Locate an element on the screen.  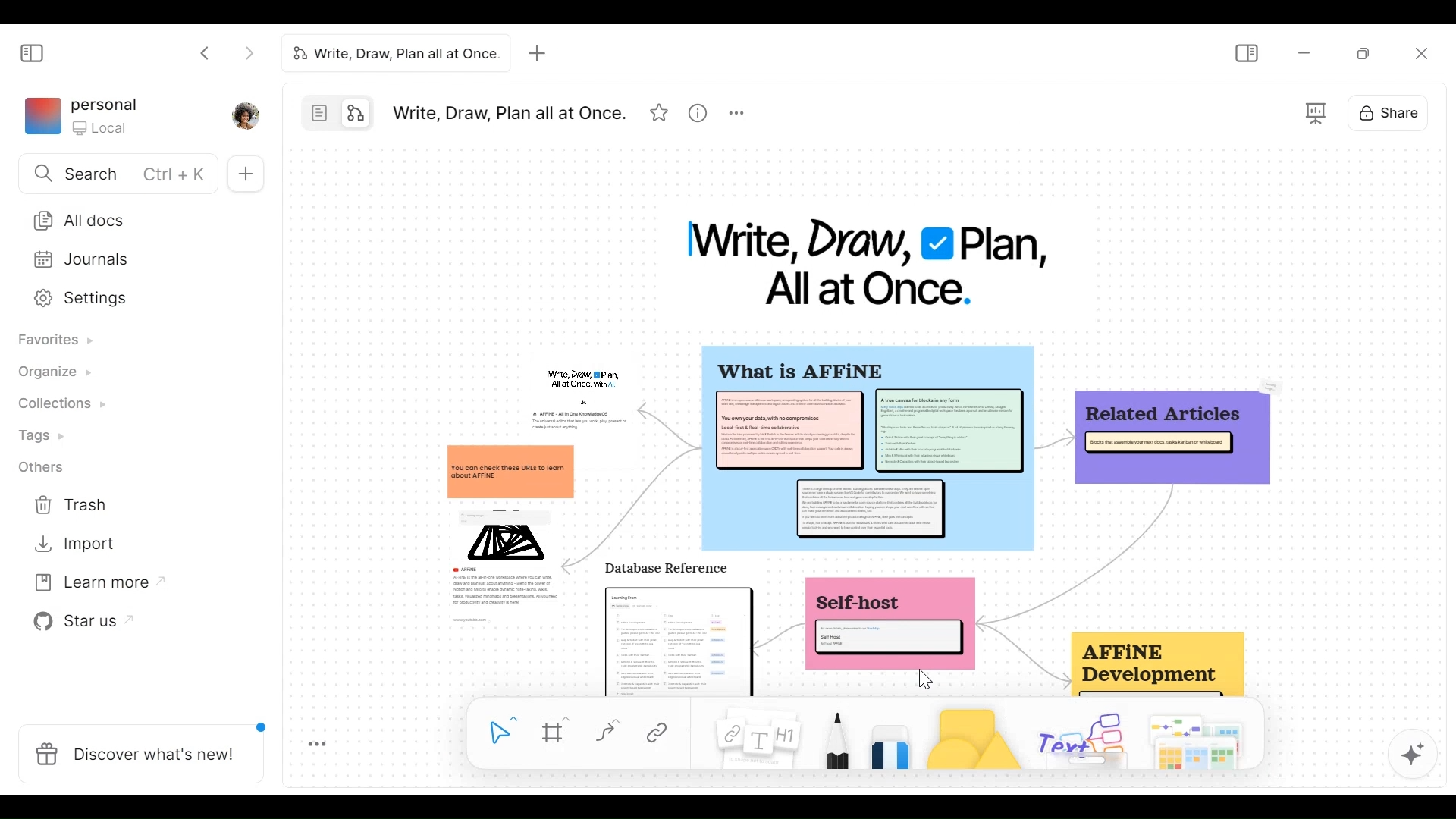
Restore is located at coordinates (1363, 52).